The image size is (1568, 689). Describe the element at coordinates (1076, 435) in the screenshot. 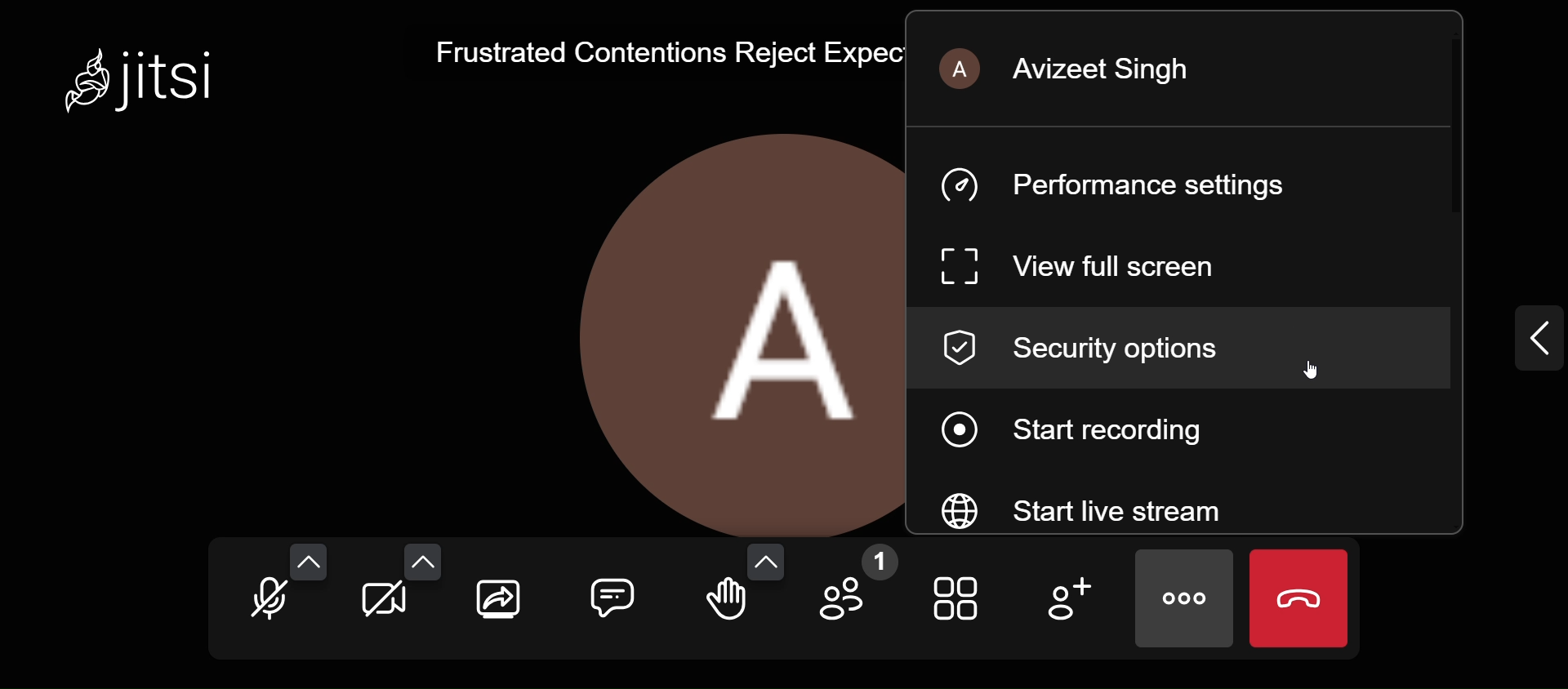

I see `start recording` at that location.